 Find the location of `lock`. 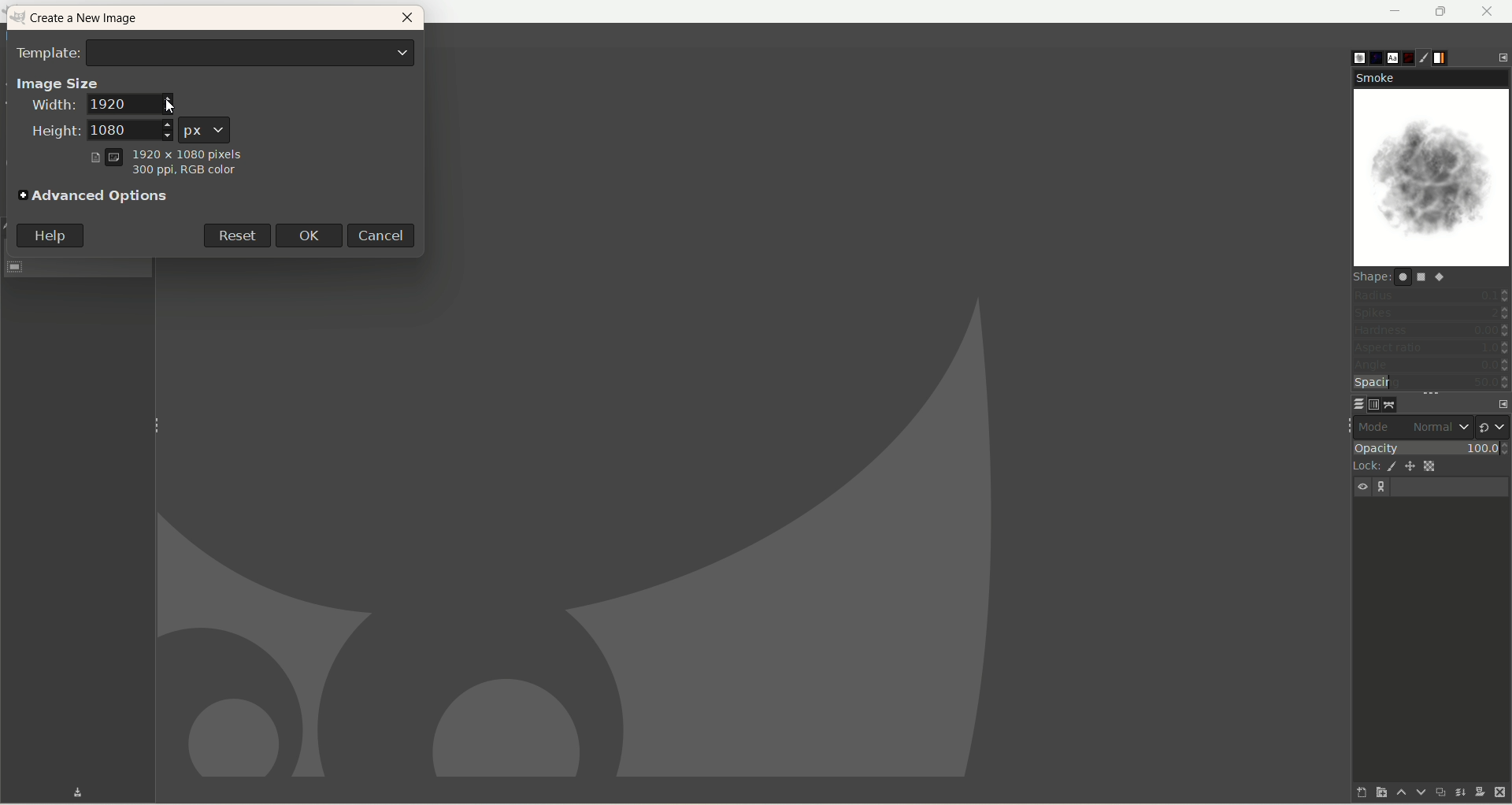

lock is located at coordinates (1362, 465).